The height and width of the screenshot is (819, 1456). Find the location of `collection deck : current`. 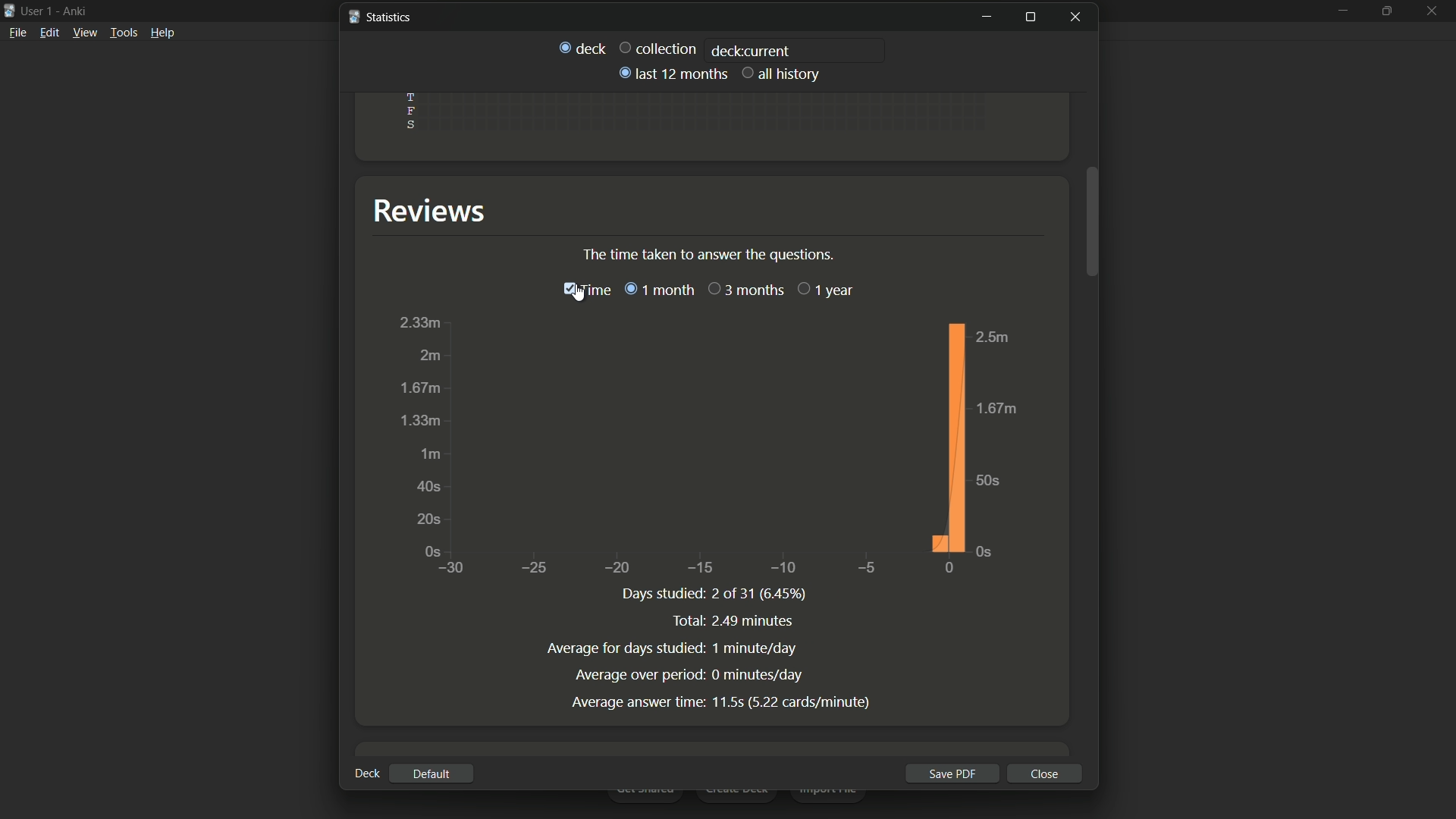

collection deck : current is located at coordinates (703, 49).